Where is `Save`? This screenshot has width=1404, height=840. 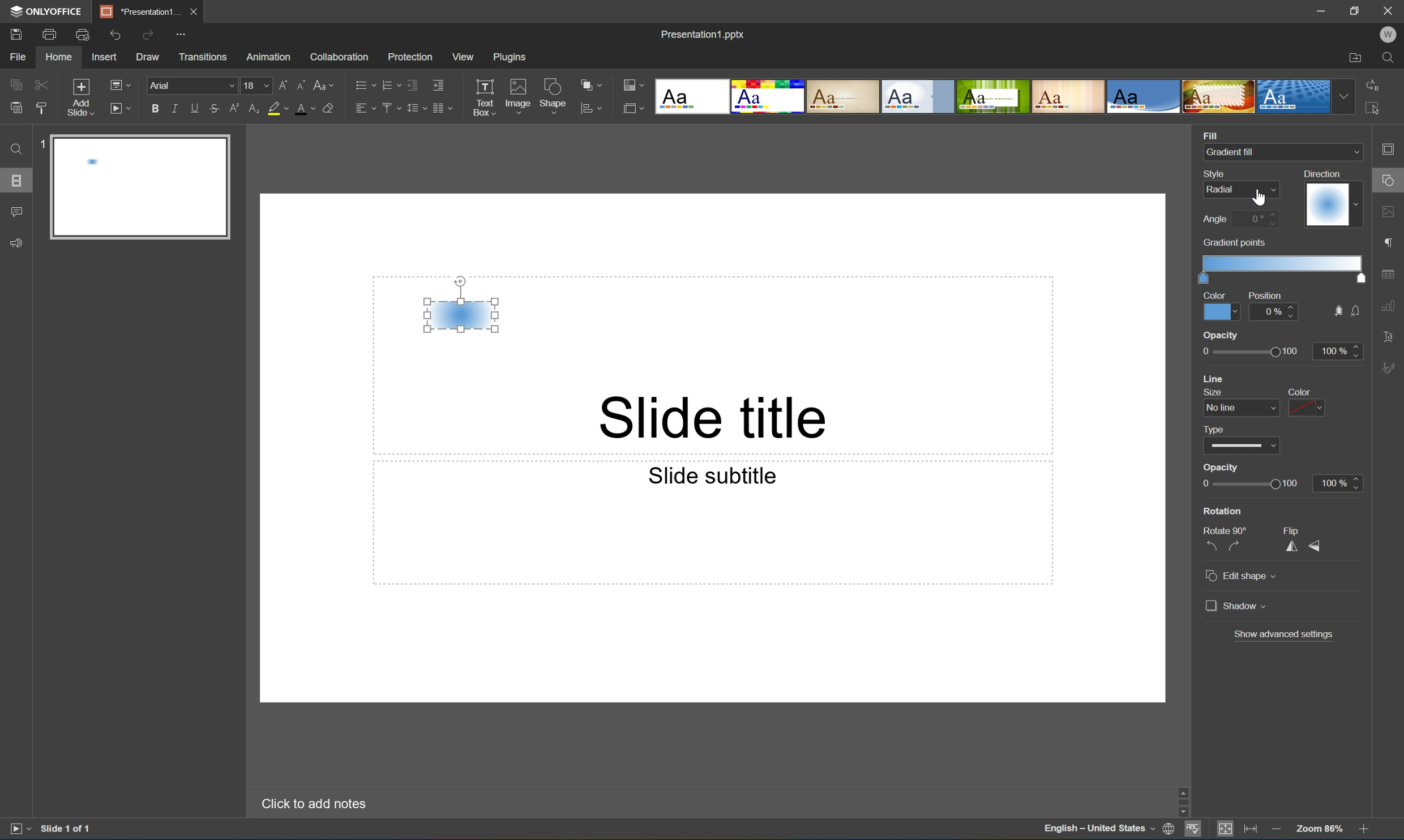
Save is located at coordinates (14, 33).